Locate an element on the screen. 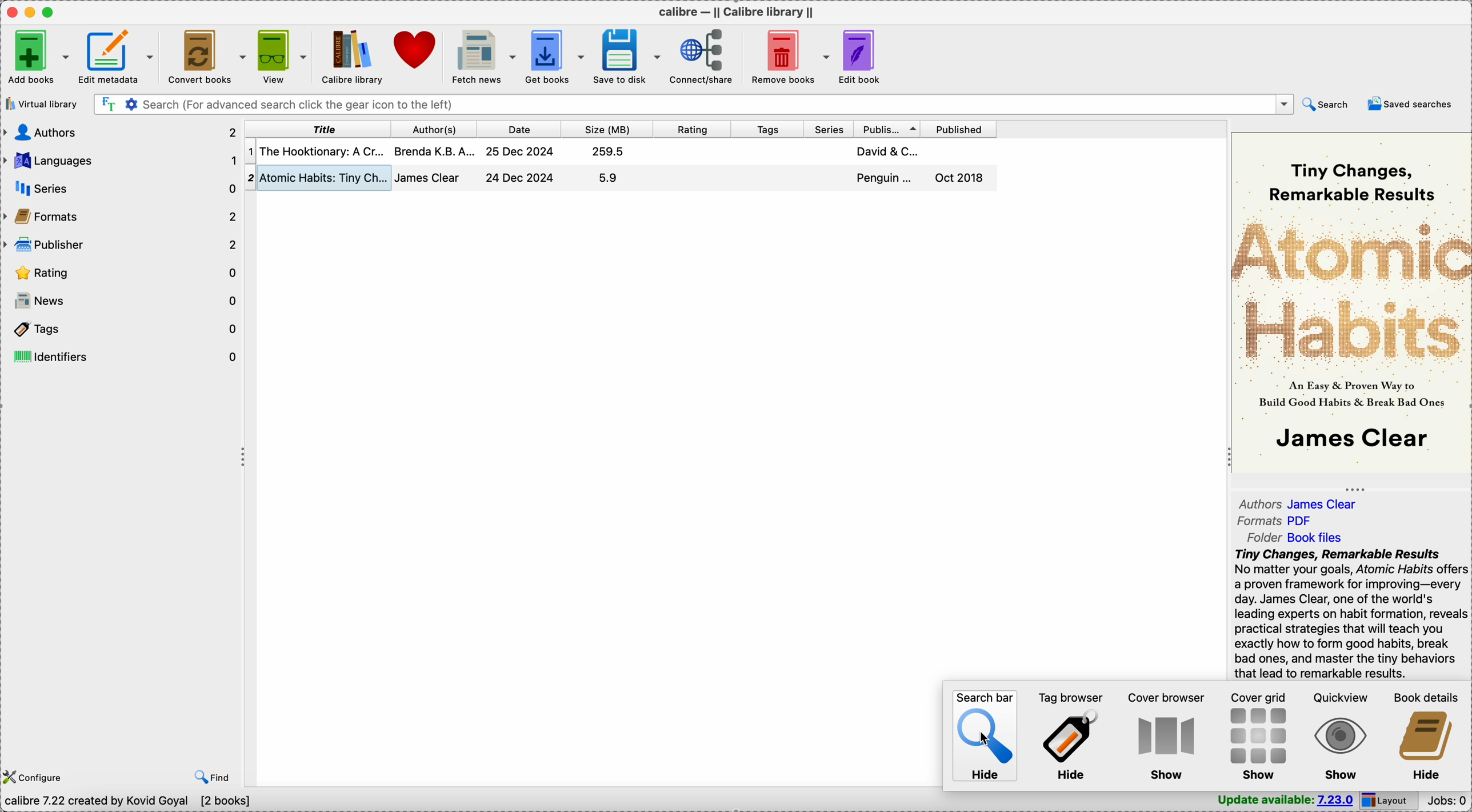 The width and height of the screenshot is (1472, 812). convert books is located at coordinates (207, 57).